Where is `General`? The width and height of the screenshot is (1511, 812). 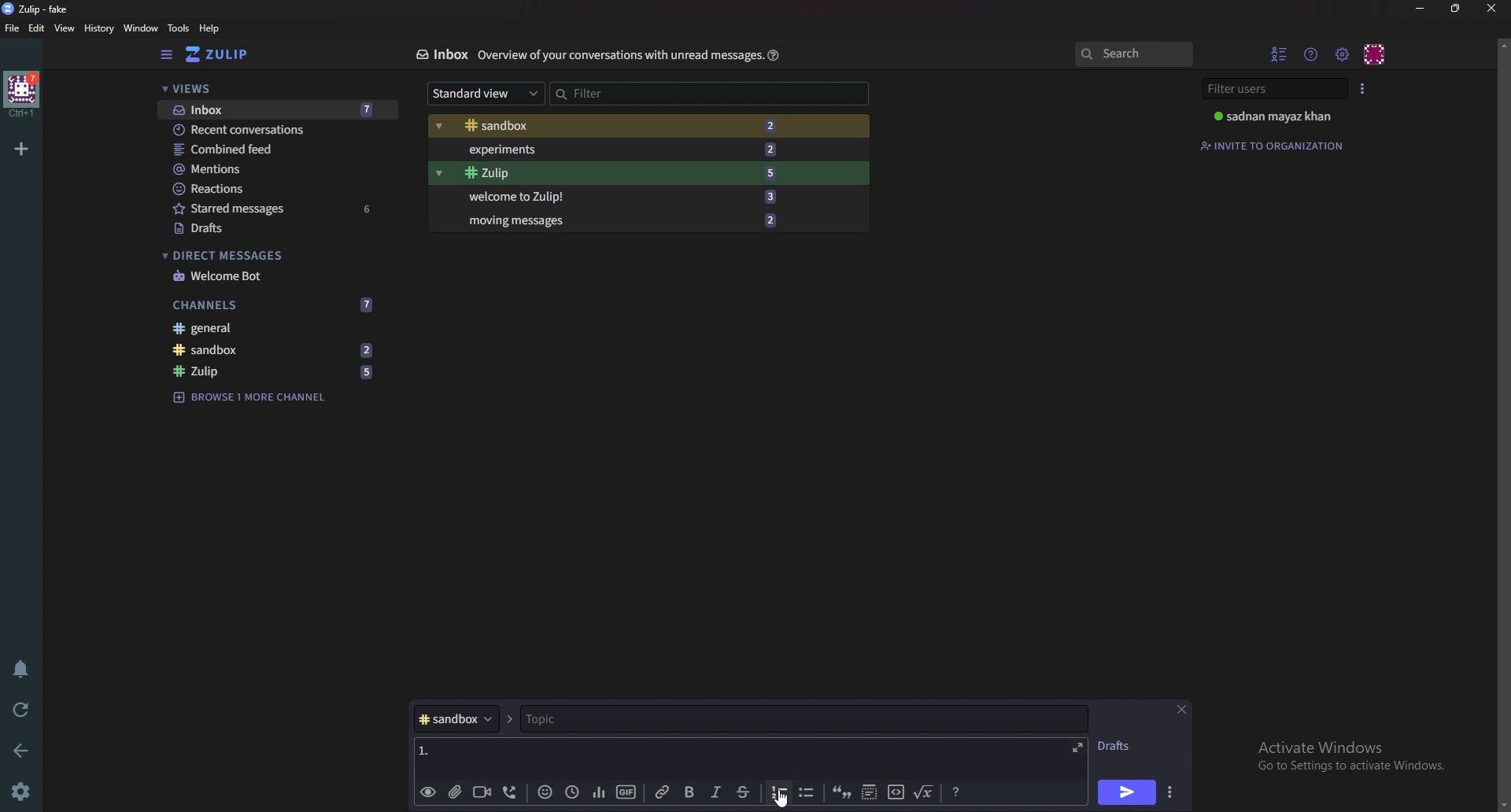 General is located at coordinates (275, 330).